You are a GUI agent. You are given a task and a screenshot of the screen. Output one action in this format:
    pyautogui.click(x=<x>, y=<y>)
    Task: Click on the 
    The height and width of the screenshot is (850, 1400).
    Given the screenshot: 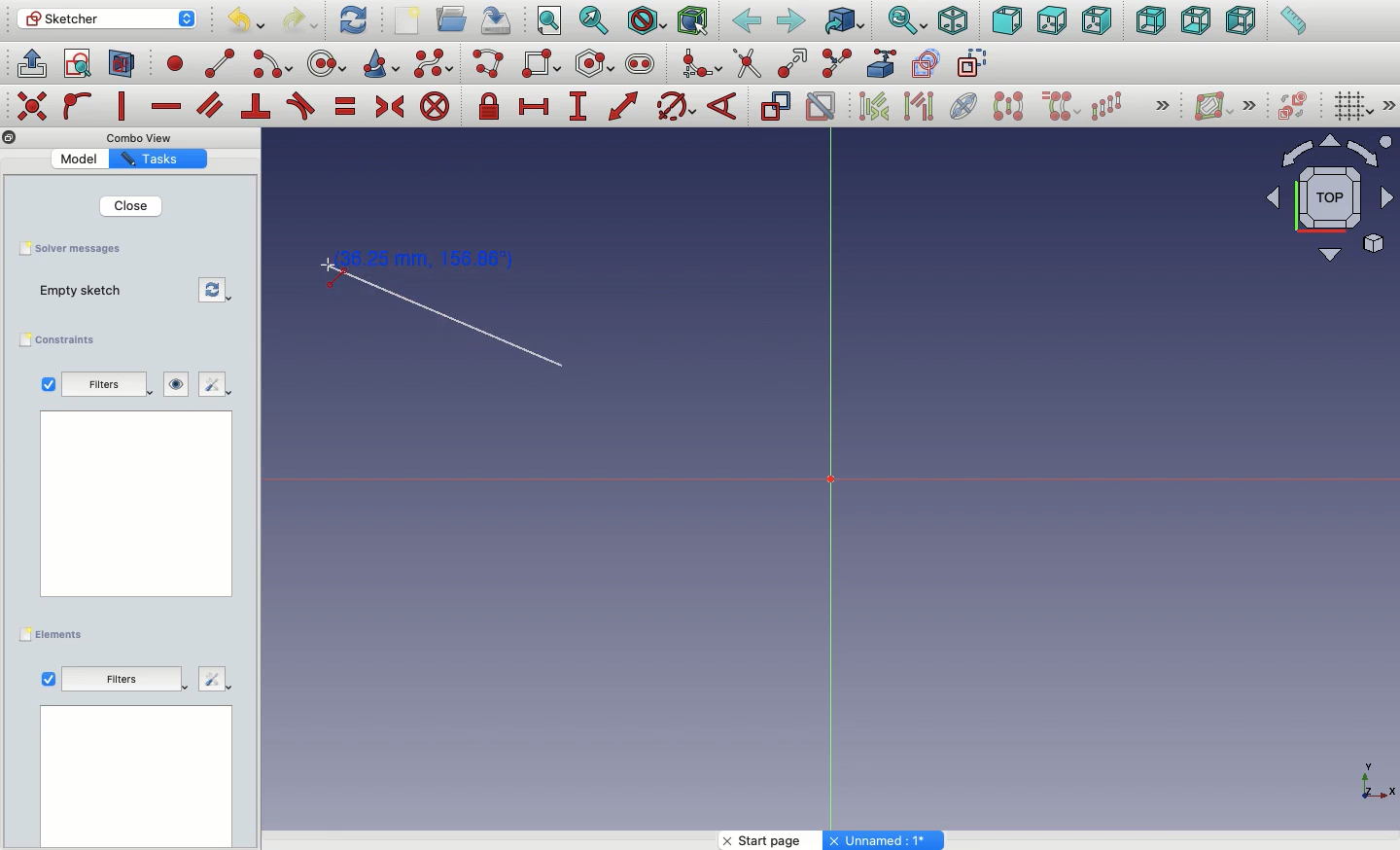 What is the action you would take?
    pyautogui.click(x=1320, y=206)
    